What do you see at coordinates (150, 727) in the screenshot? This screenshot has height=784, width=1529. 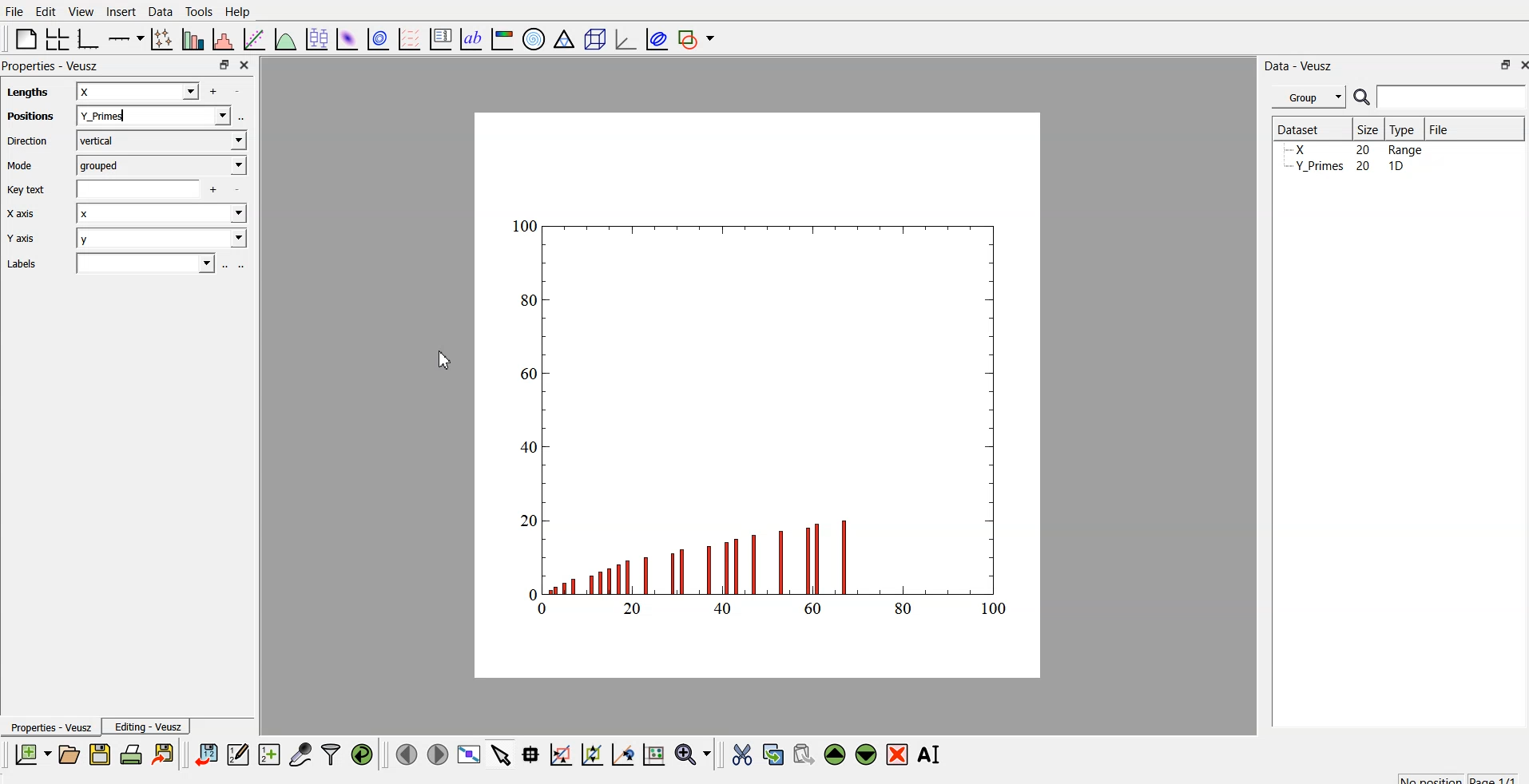 I see `Editing - Veusz` at bounding box center [150, 727].